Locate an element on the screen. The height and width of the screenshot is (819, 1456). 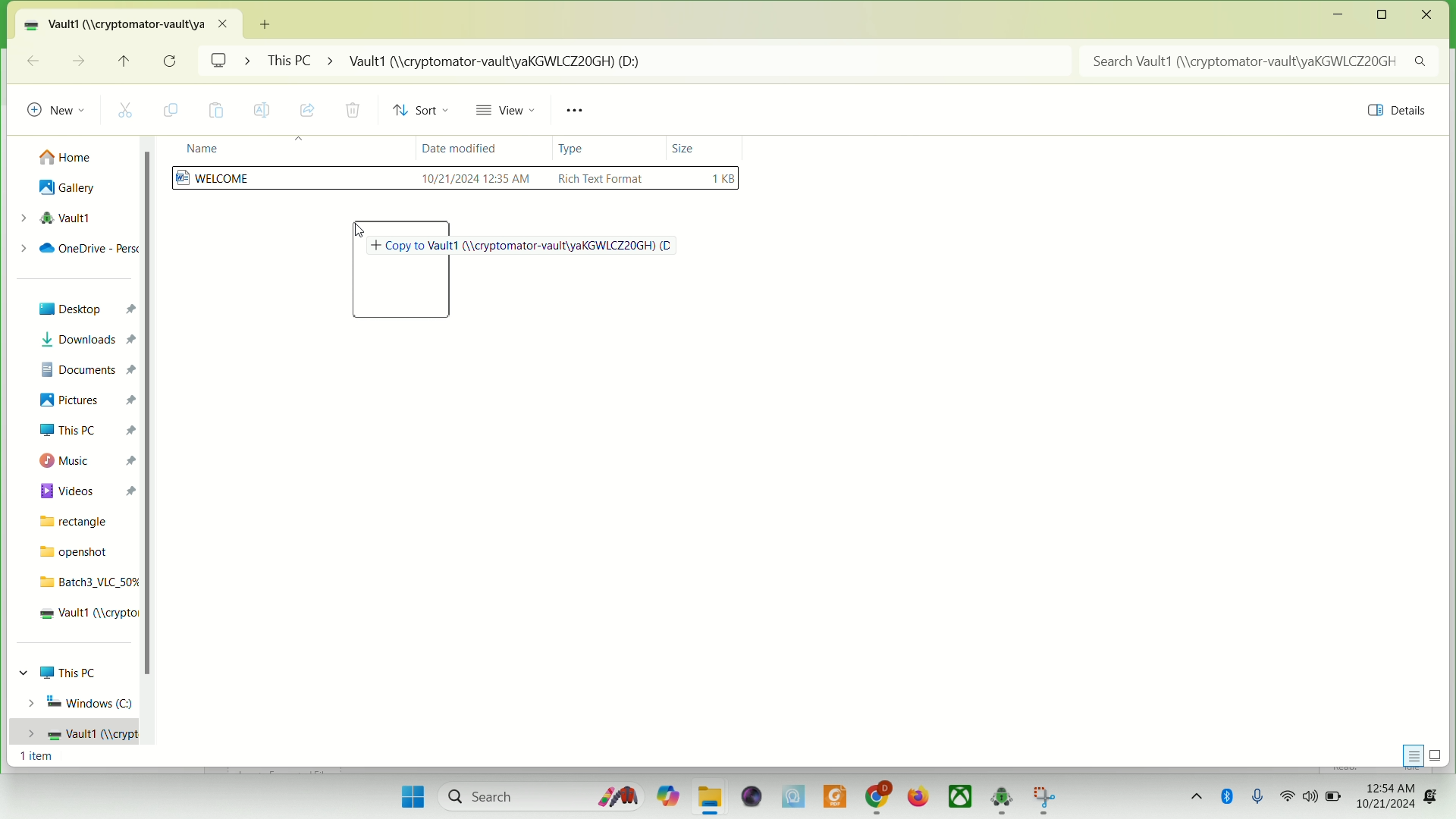
minimize is located at coordinates (1338, 16).